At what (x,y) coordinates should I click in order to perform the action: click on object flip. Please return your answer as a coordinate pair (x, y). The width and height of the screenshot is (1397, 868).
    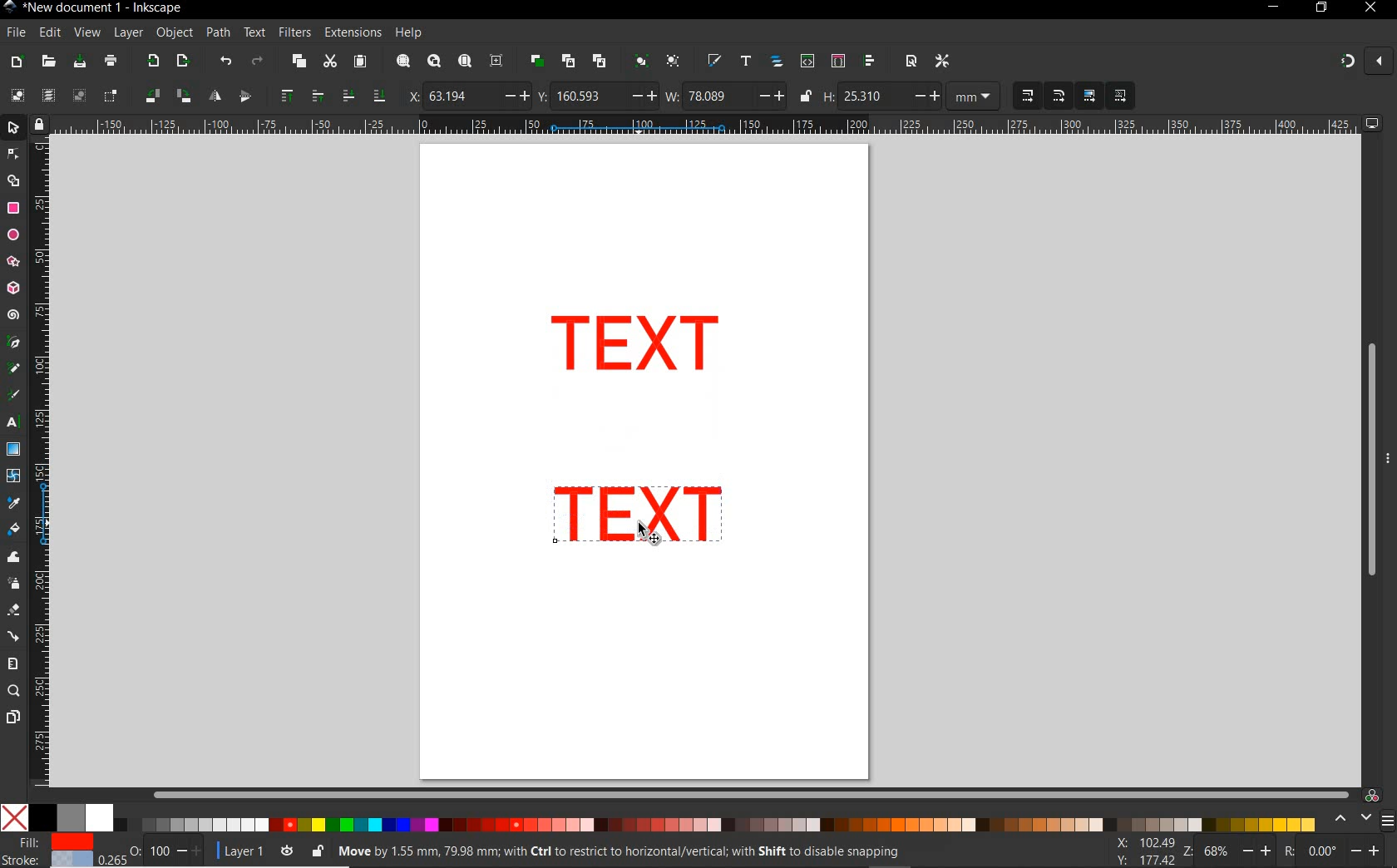
    Looking at the image, I should click on (228, 96).